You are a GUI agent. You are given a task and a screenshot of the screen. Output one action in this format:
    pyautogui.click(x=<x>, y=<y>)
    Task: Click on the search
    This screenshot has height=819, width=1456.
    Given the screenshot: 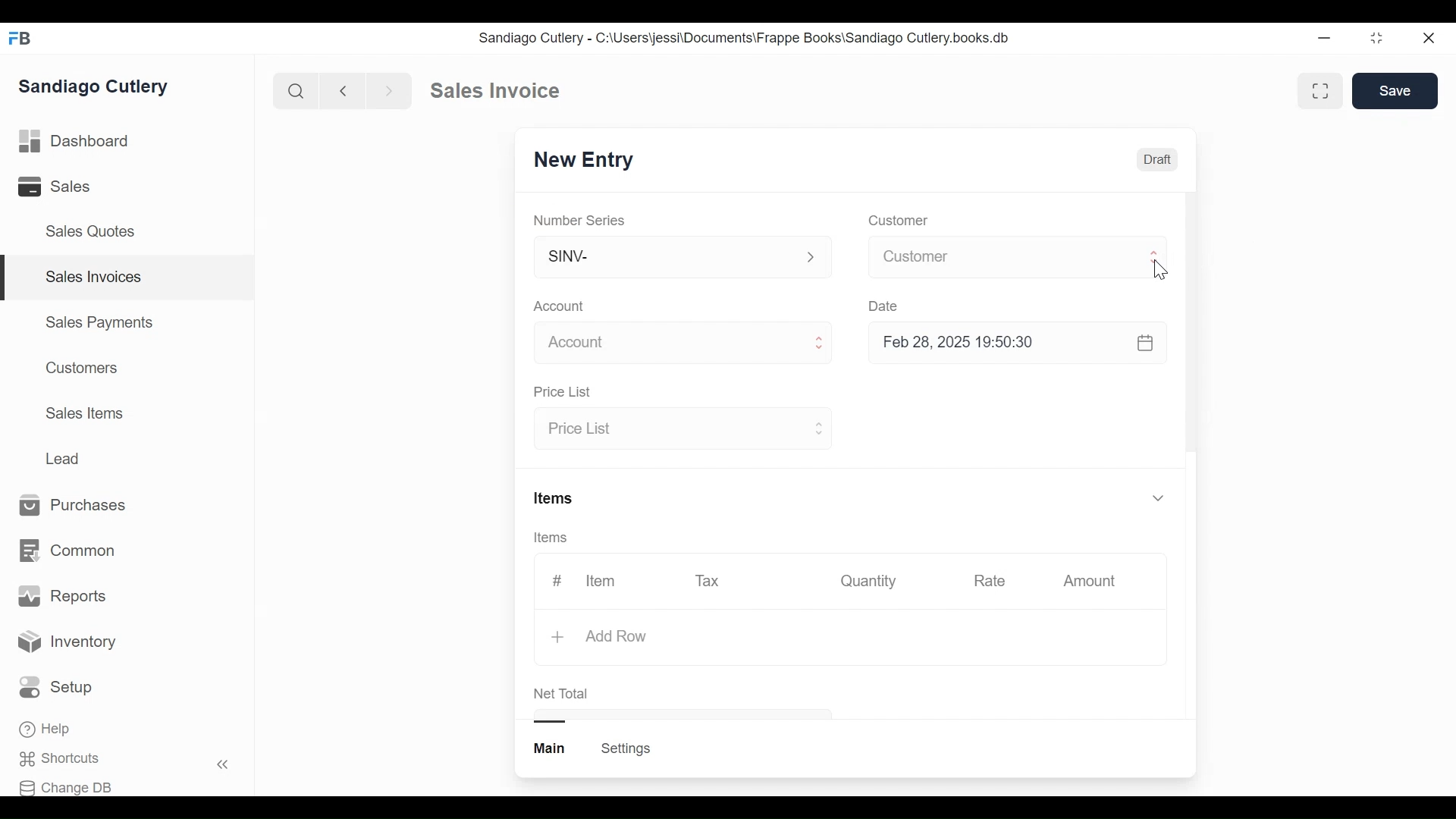 What is the action you would take?
    pyautogui.click(x=297, y=92)
    